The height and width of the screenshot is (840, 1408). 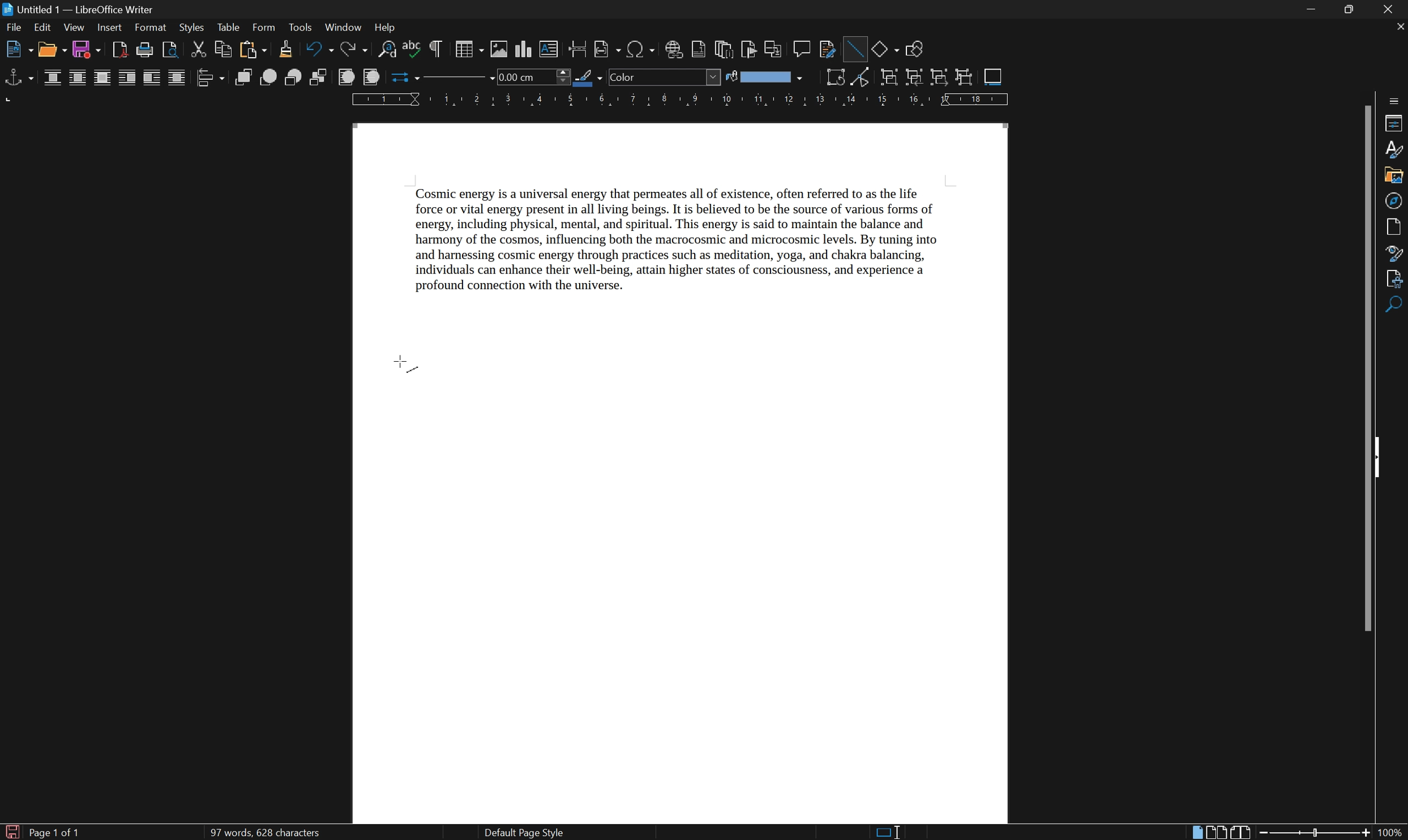 What do you see at coordinates (191, 27) in the screenshot?
I see `styles` at bounding box center [191, 27].